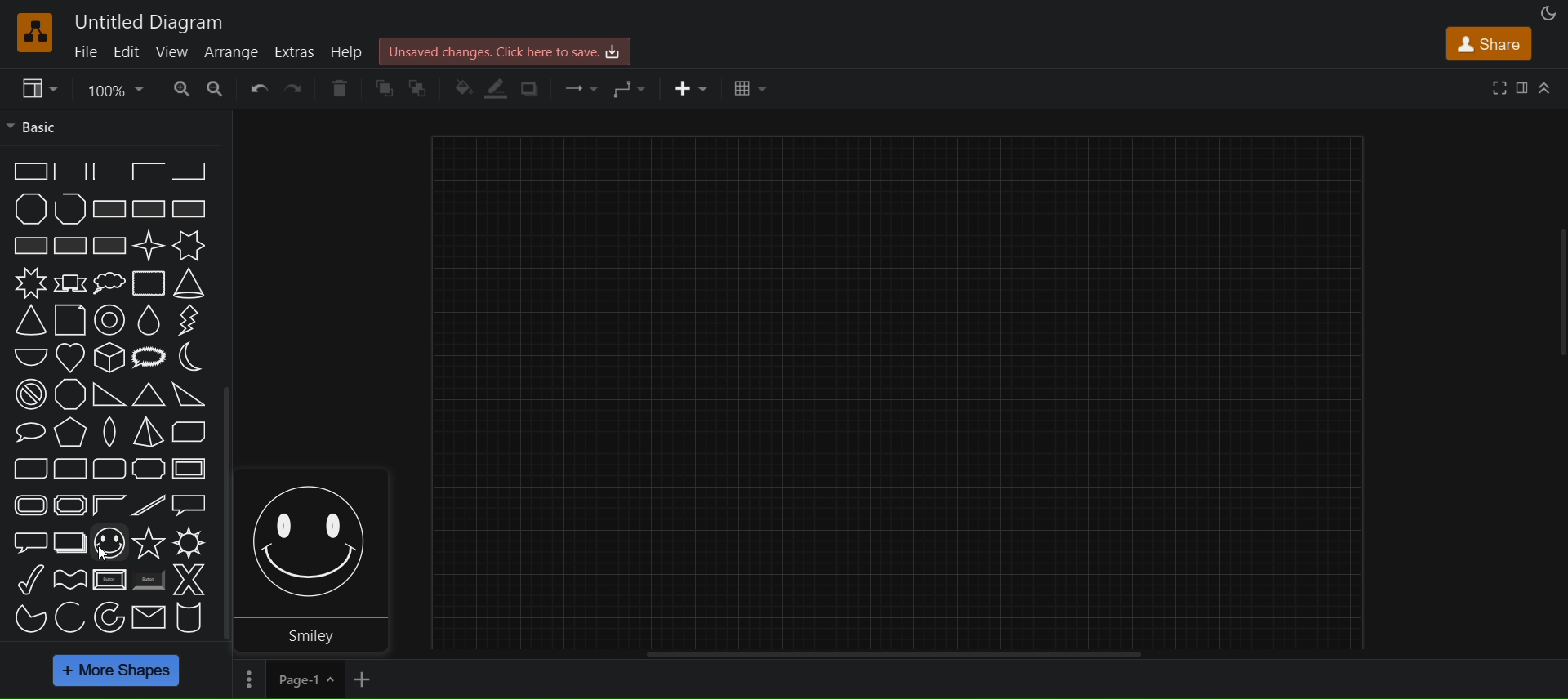 The height and width of the screenshot is (699, 1568). Describe the element at coordinates (25, 355) in the screenshot. I see `half circle` at that location.